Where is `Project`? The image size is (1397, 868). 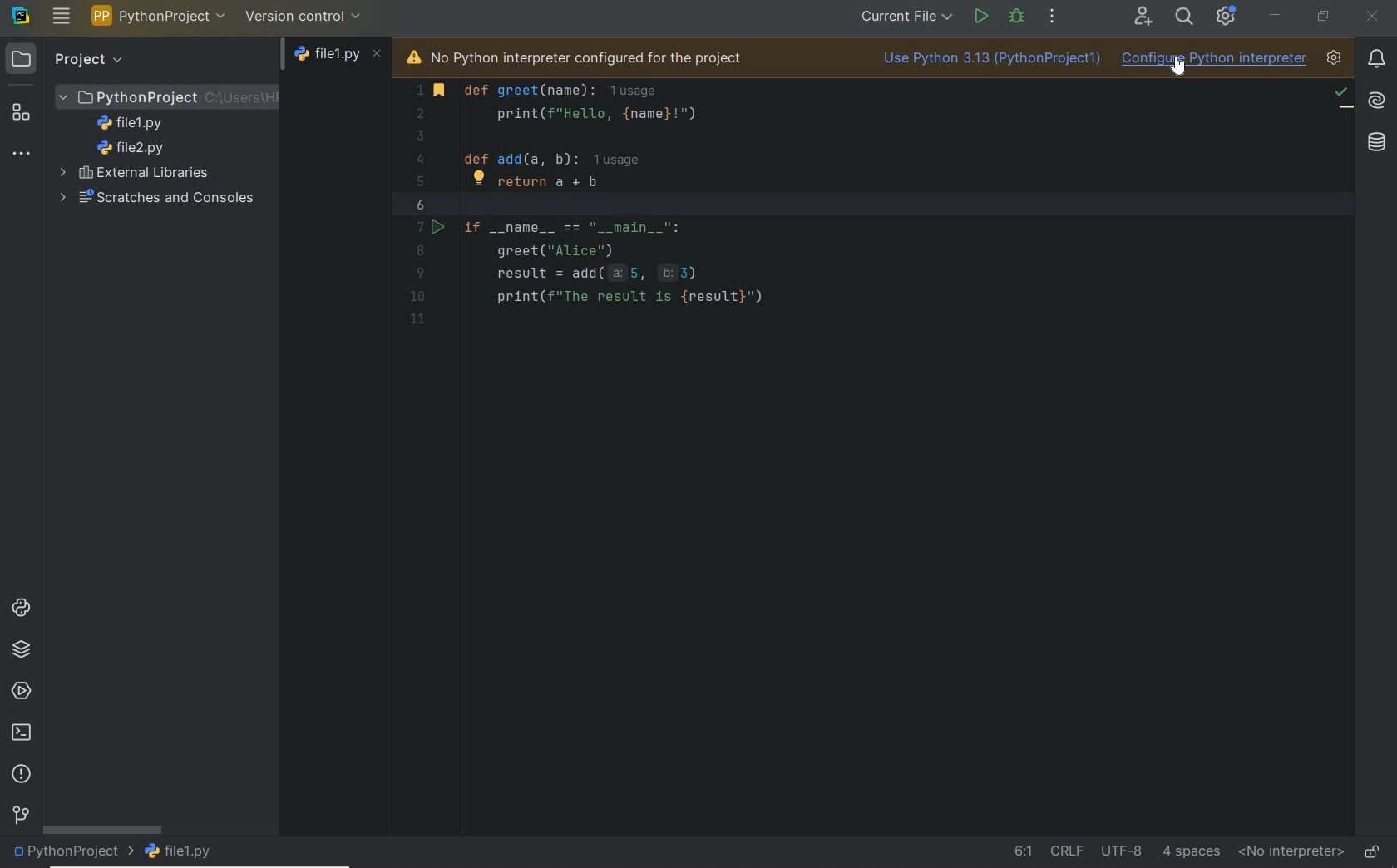
Project is located at coordinates (68, 58).